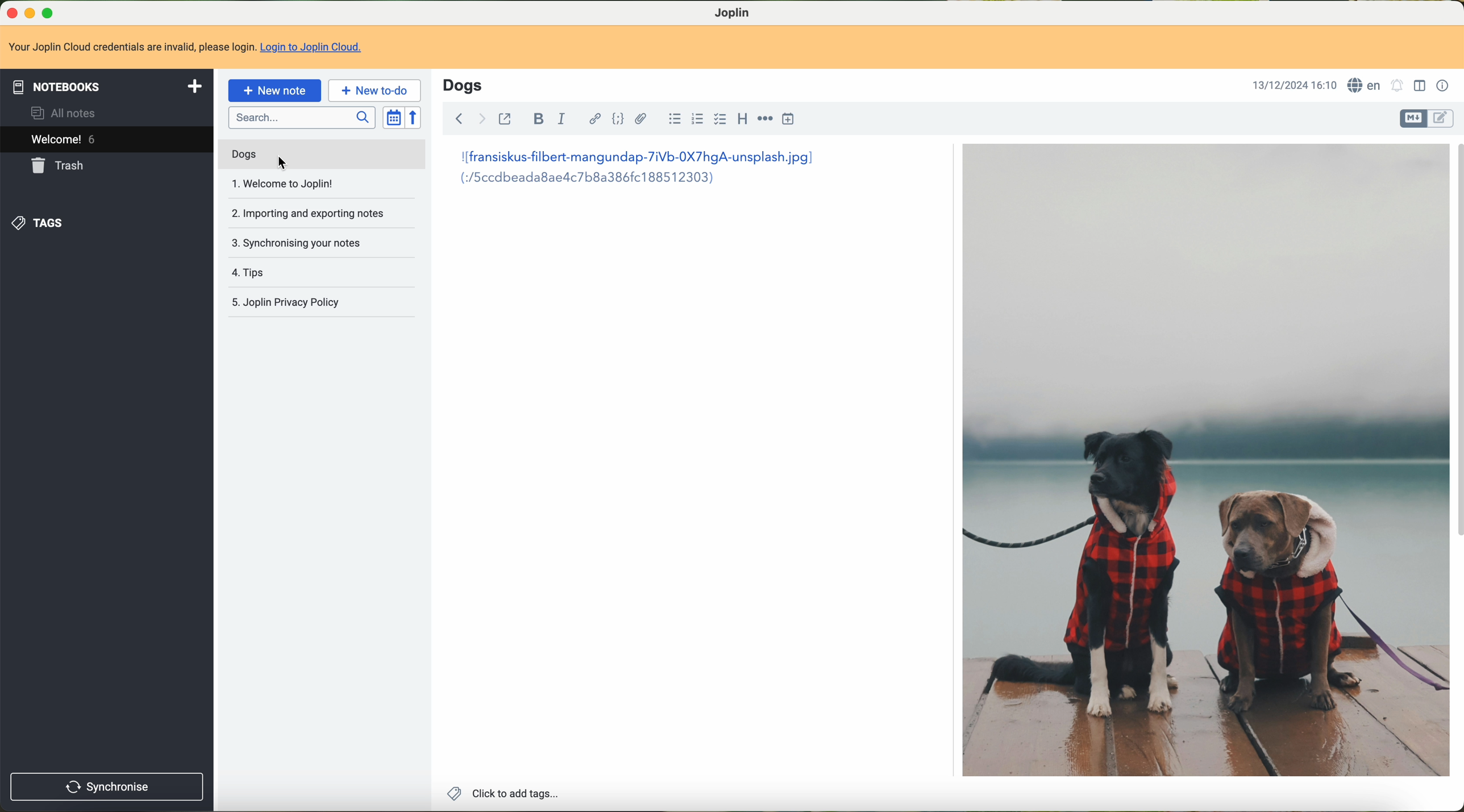  I want to click on bold, so click(538, 120).